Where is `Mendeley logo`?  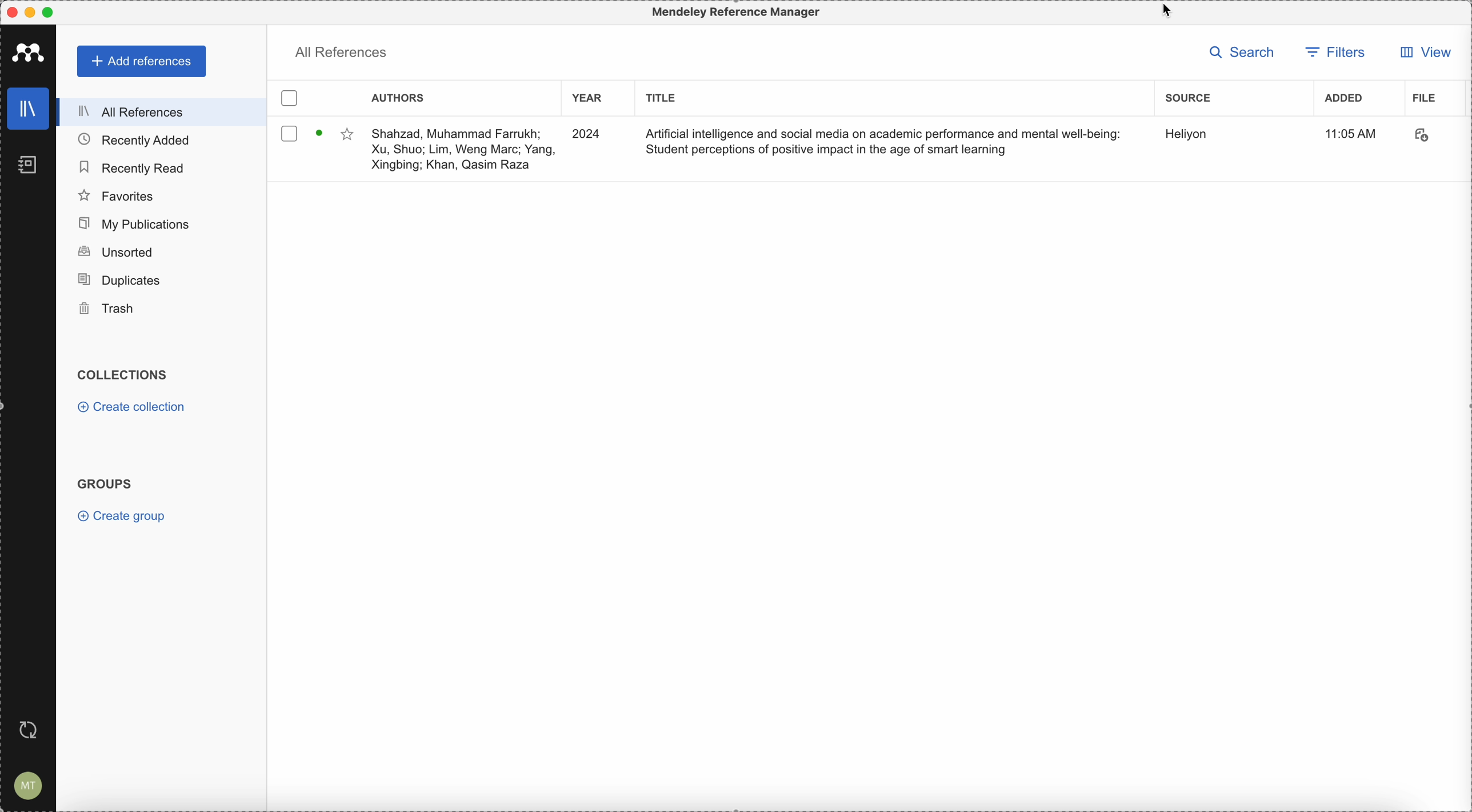
Mendeley logo is located at coordinates (29, 51).